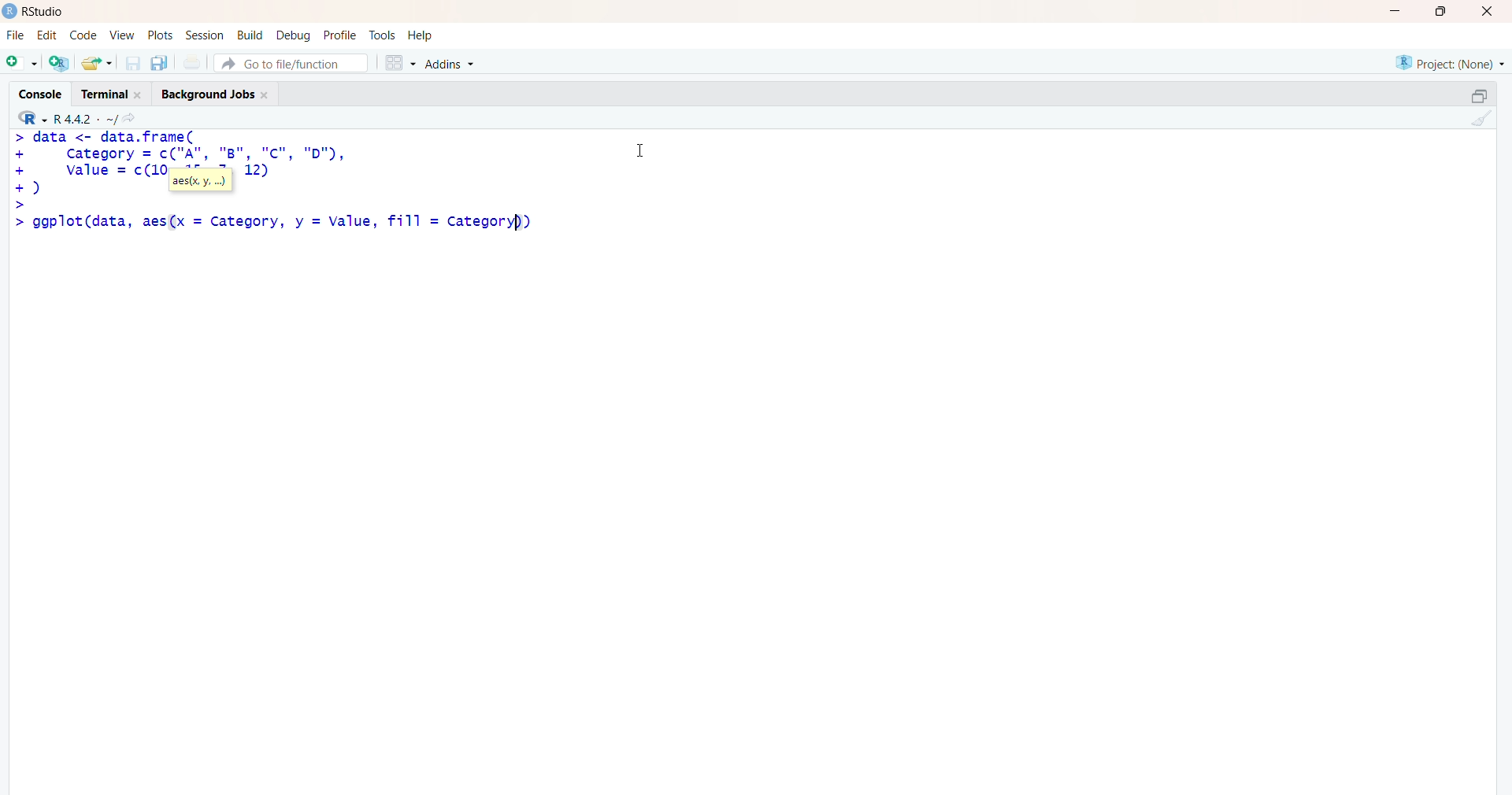 Image resolution: width=1512 pixels, height=795 pixels. Describe the element at coordinates (1479, 118) in the screenshot. I see `clear console` at that location.